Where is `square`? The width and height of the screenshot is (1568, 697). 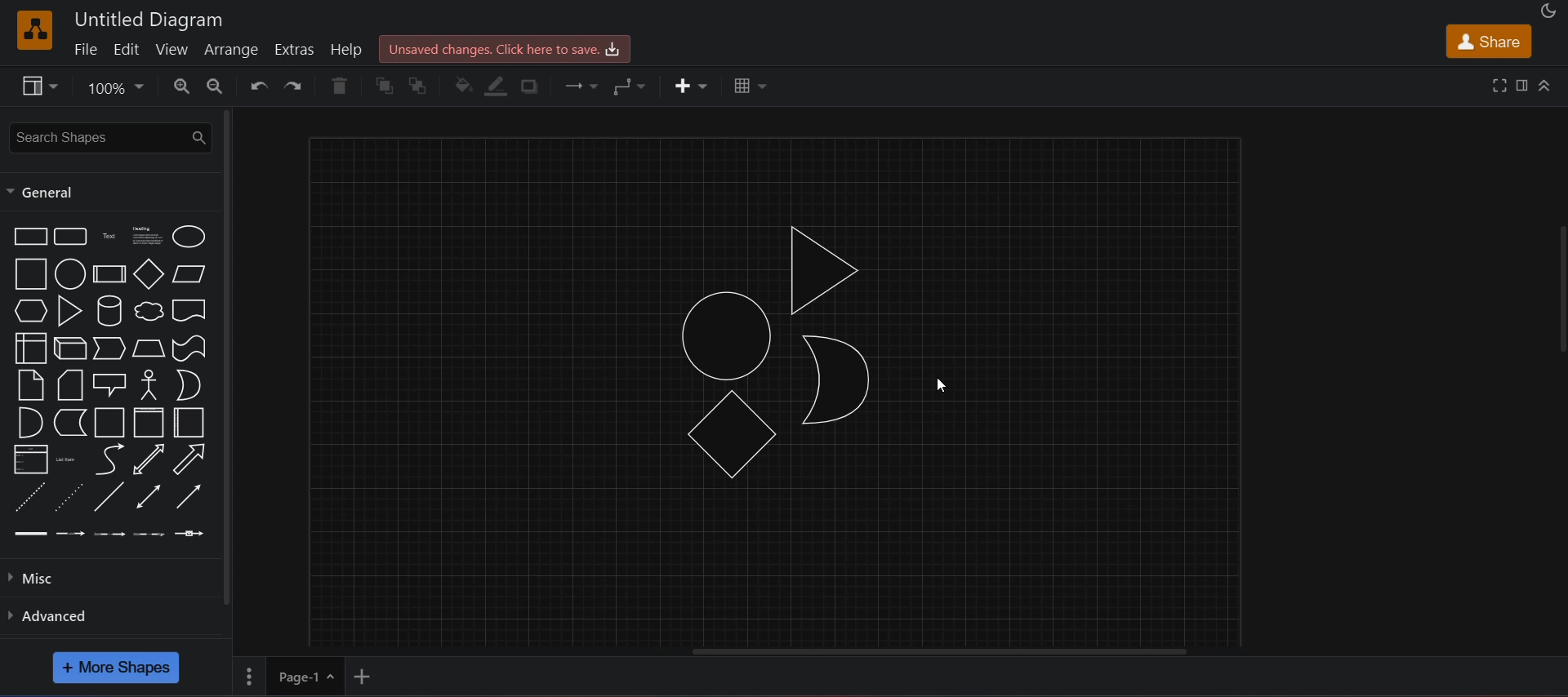
square is located at coordinates (28, 273).